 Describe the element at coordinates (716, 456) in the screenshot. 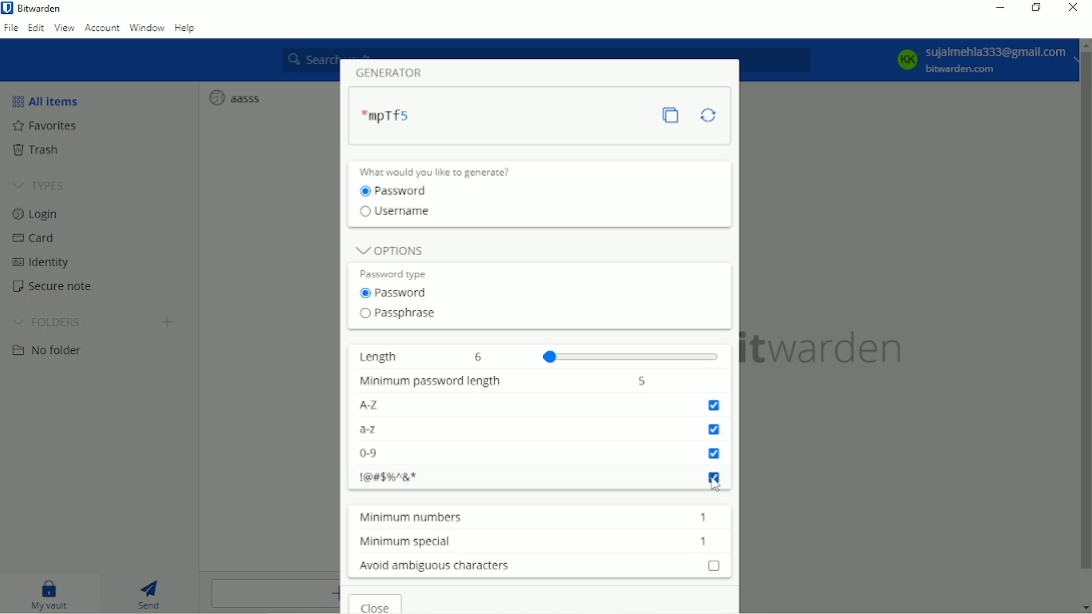

I see `numbers checkbox` at that location.